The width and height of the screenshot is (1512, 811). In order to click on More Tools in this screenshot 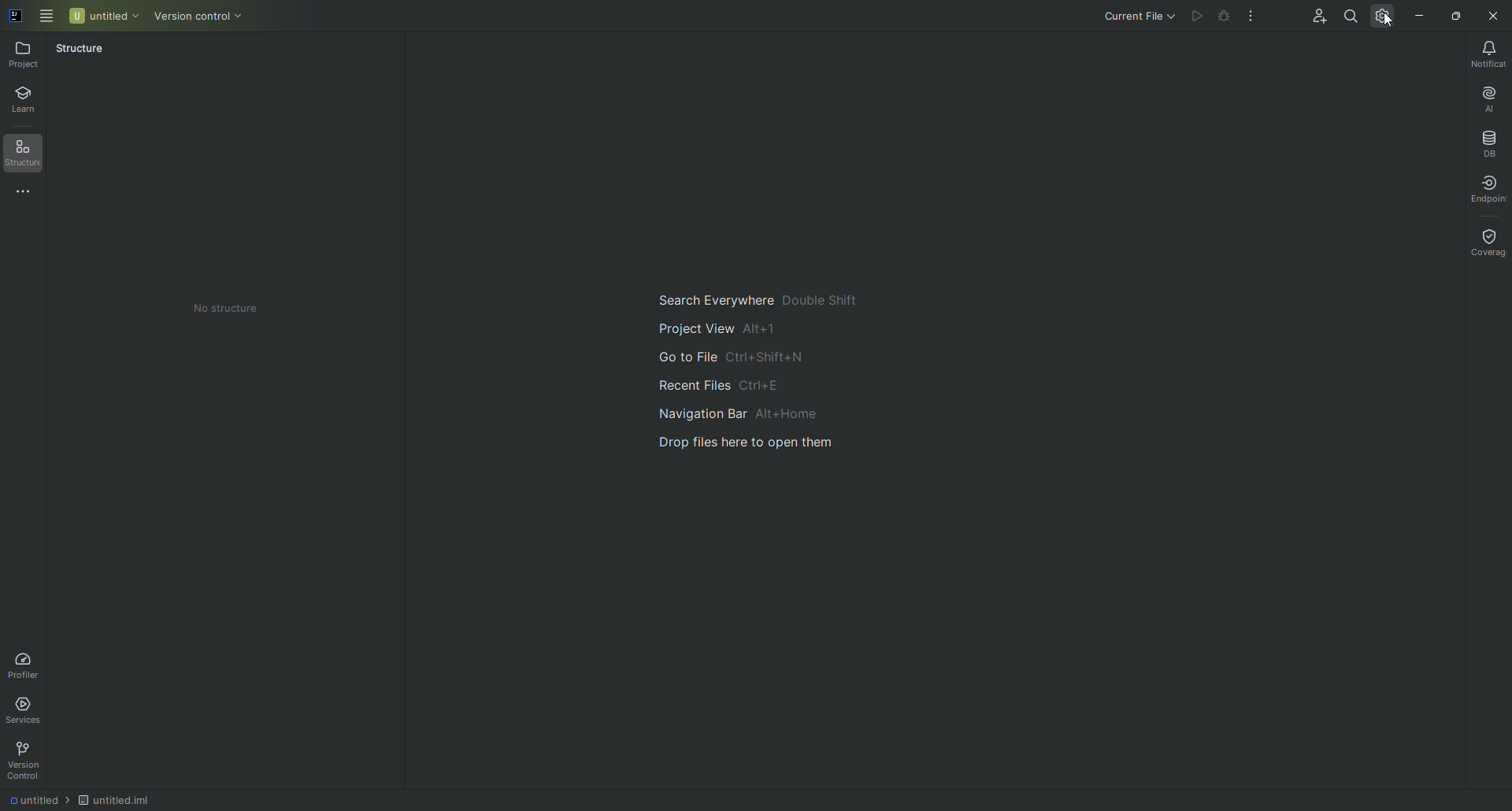, I will do `click(27, 196)`.